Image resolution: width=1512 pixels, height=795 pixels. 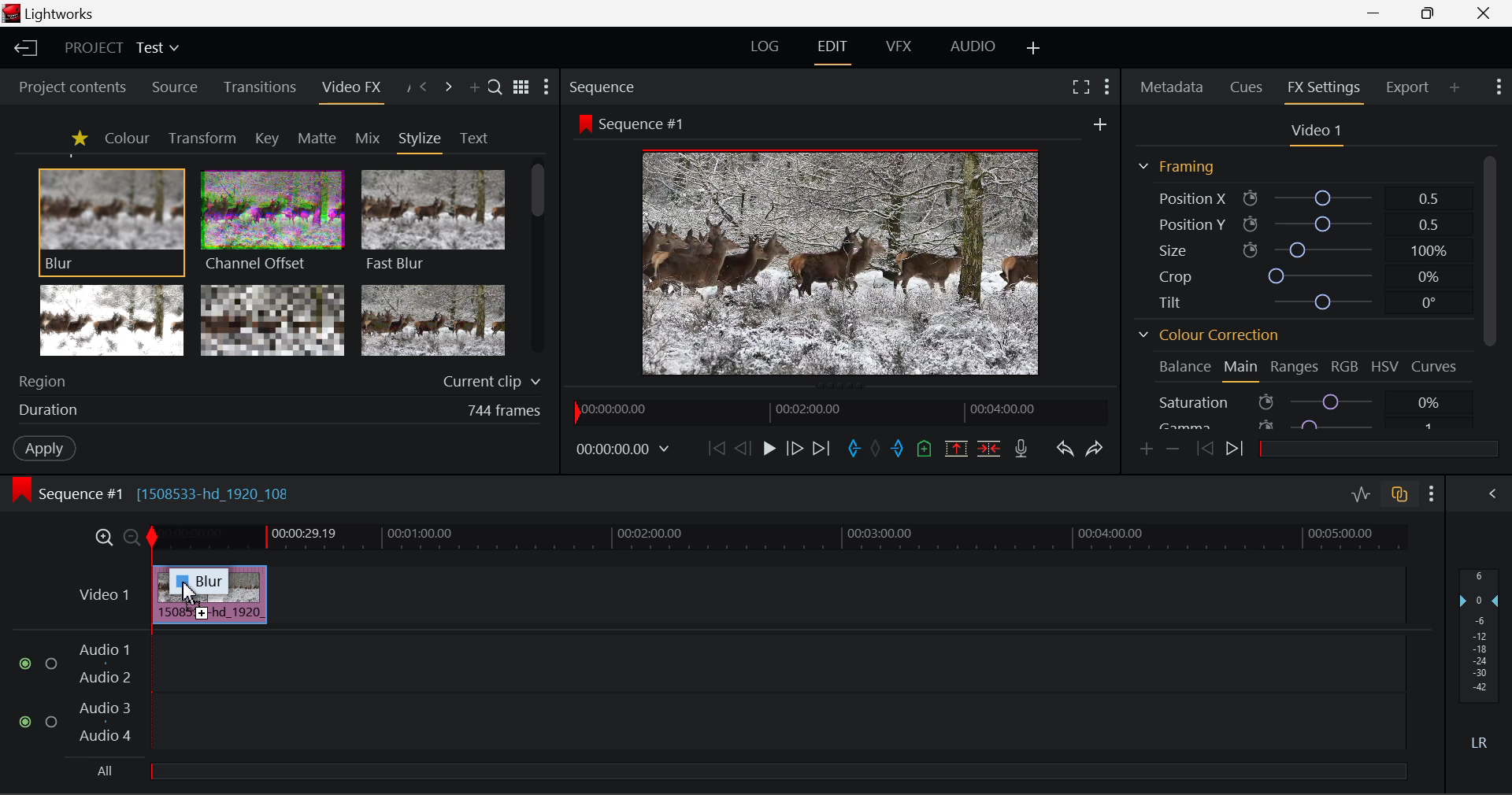 What do you see at coordinates (1493, 492) in the screenshot?
I see `View Audio Mix` at bounding box center [1493, 492].